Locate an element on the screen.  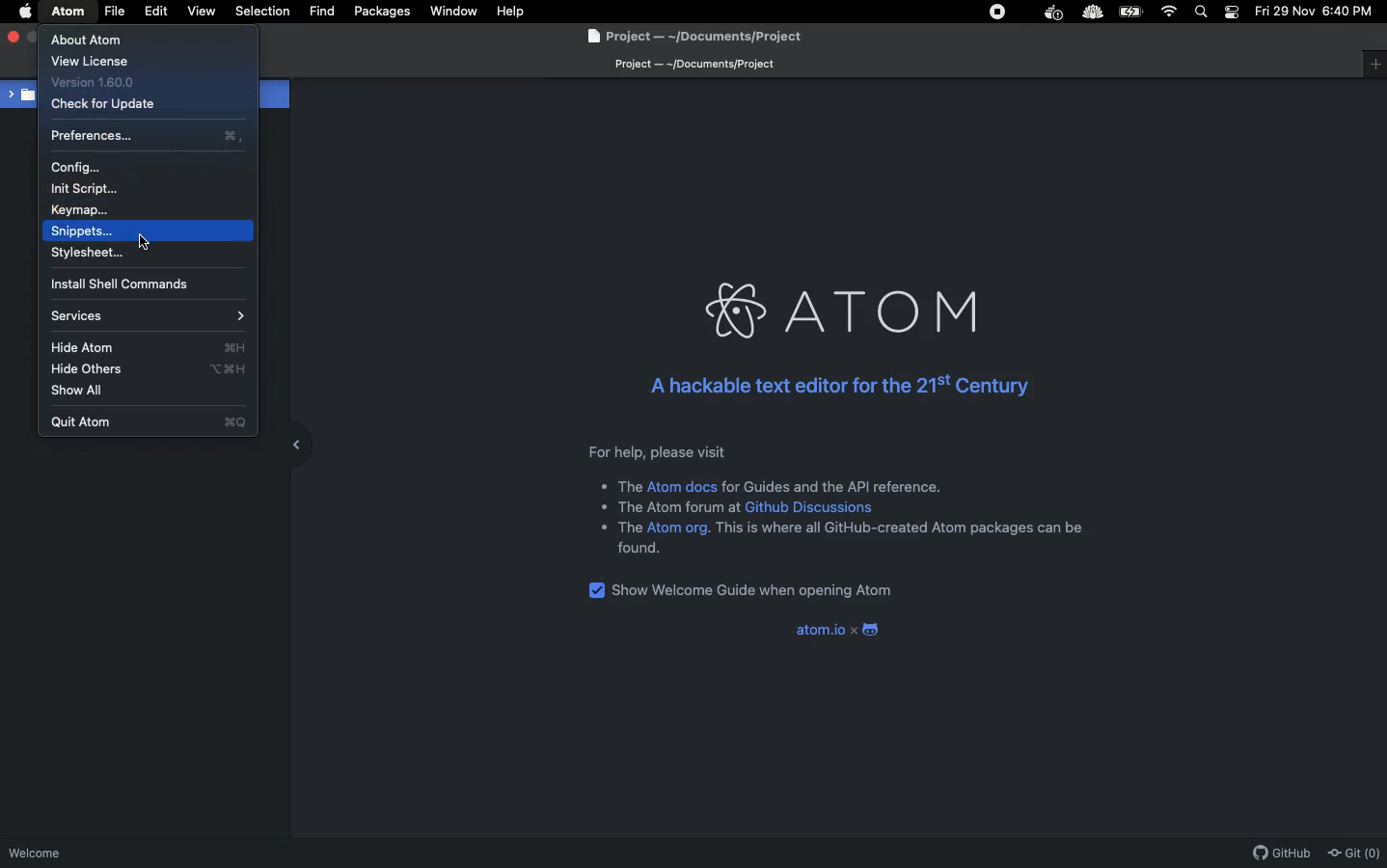
Edit is located at coordinates (156, 11).